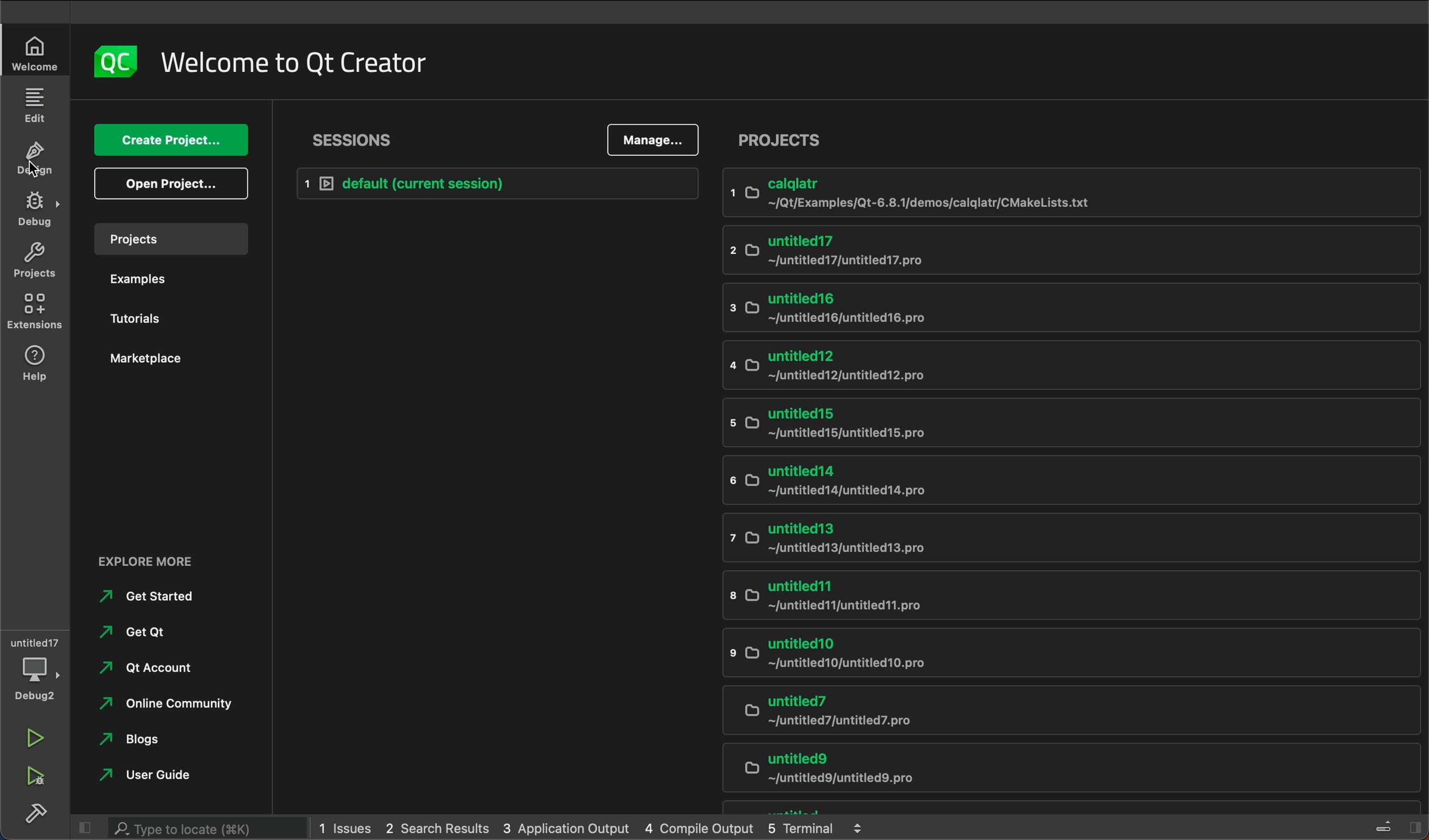  I want to click on tutorials, so click(173, 320).